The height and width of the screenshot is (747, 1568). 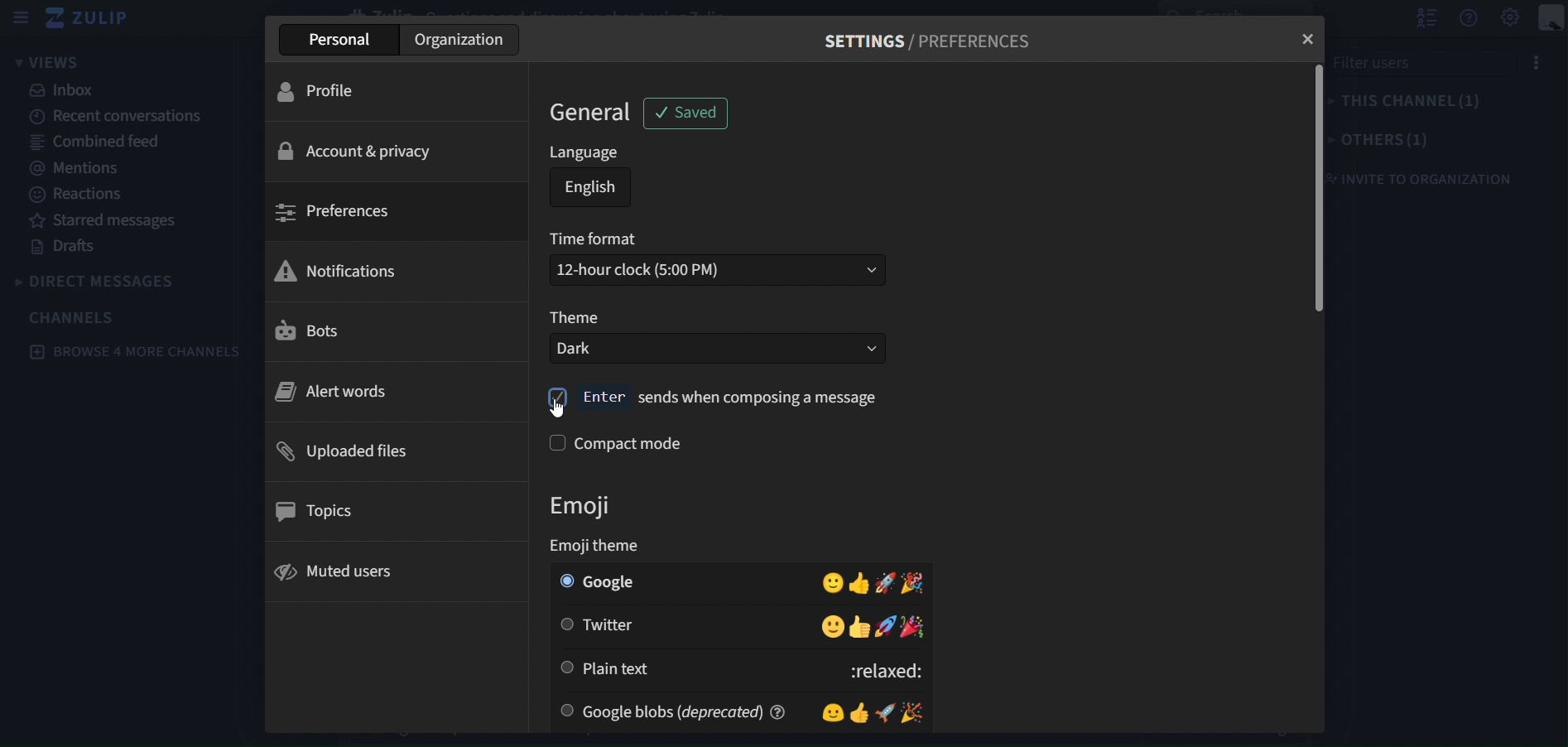 What do you see at coordinates (599, 508) in the screenshot?
I see `emoji` at bounding box center [599, 508].